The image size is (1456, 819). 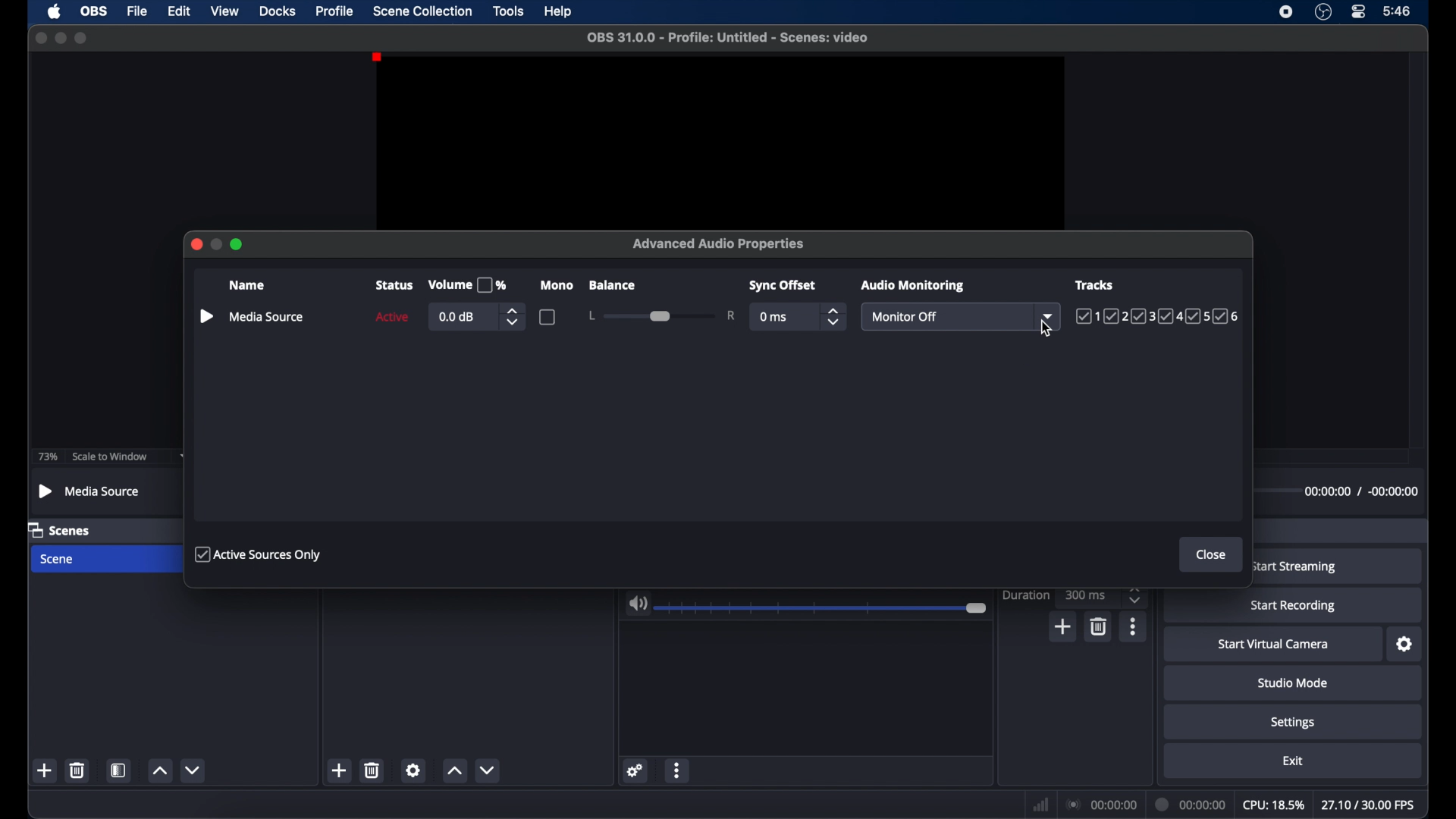 What do you see at coordinates (638, 604) in the screenshot?
I see `volume` at bounding box center [638, 604].